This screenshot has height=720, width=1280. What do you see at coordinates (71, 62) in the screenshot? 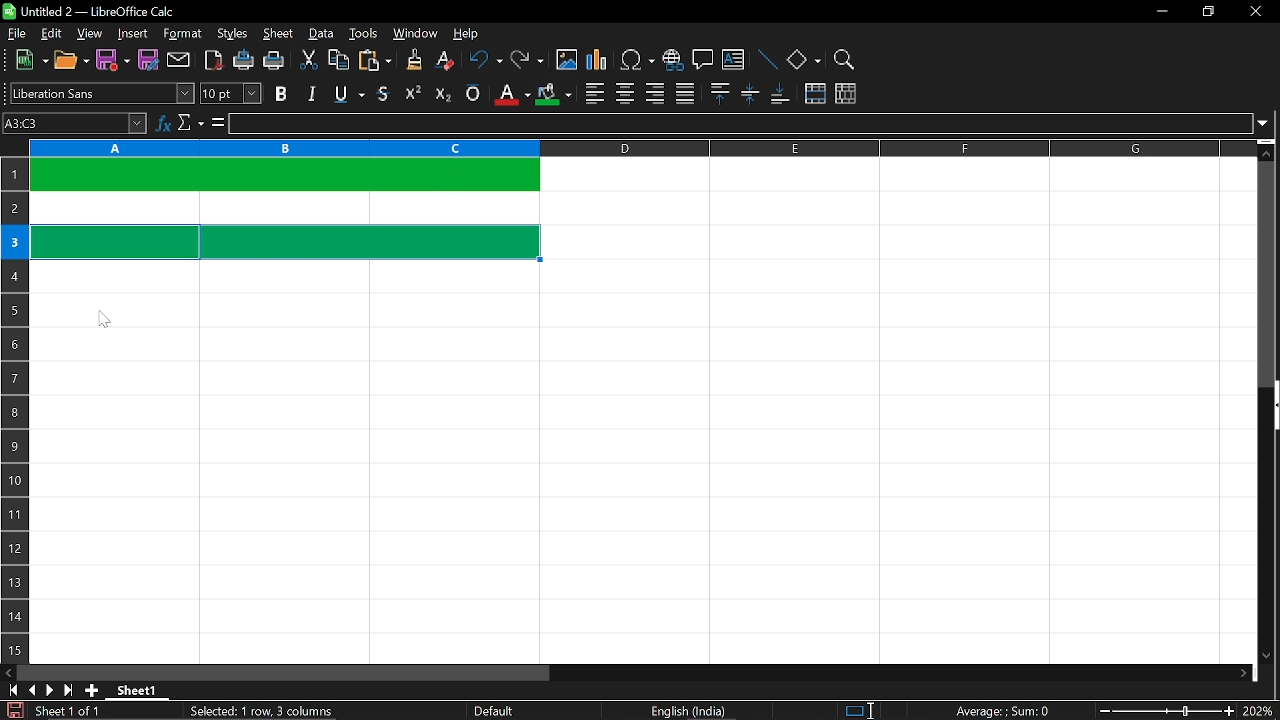
I see `open` at bounding box center [71, 62].